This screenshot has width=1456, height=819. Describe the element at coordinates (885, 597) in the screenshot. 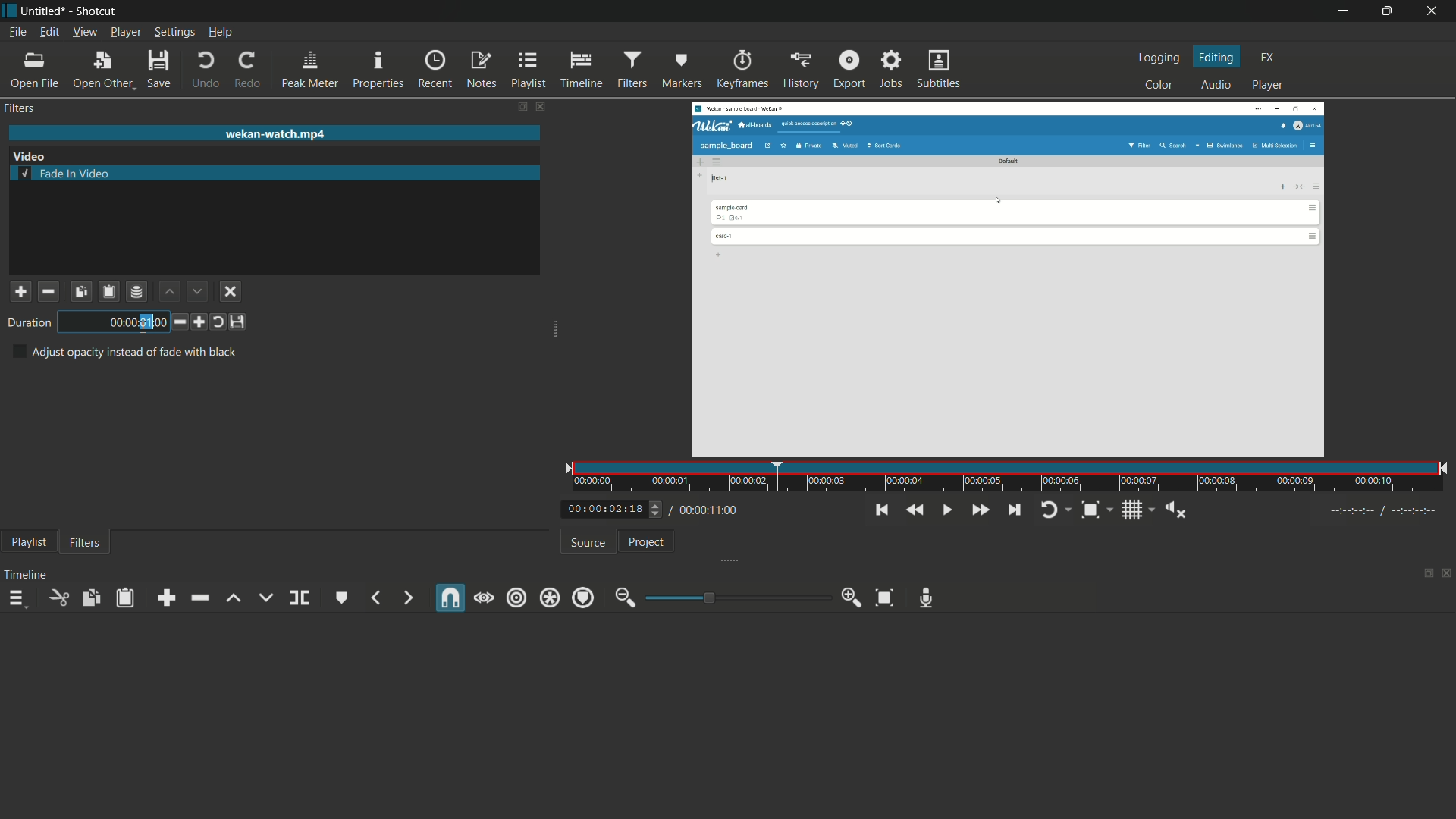

I see `zoom timeline to fit` at that location.